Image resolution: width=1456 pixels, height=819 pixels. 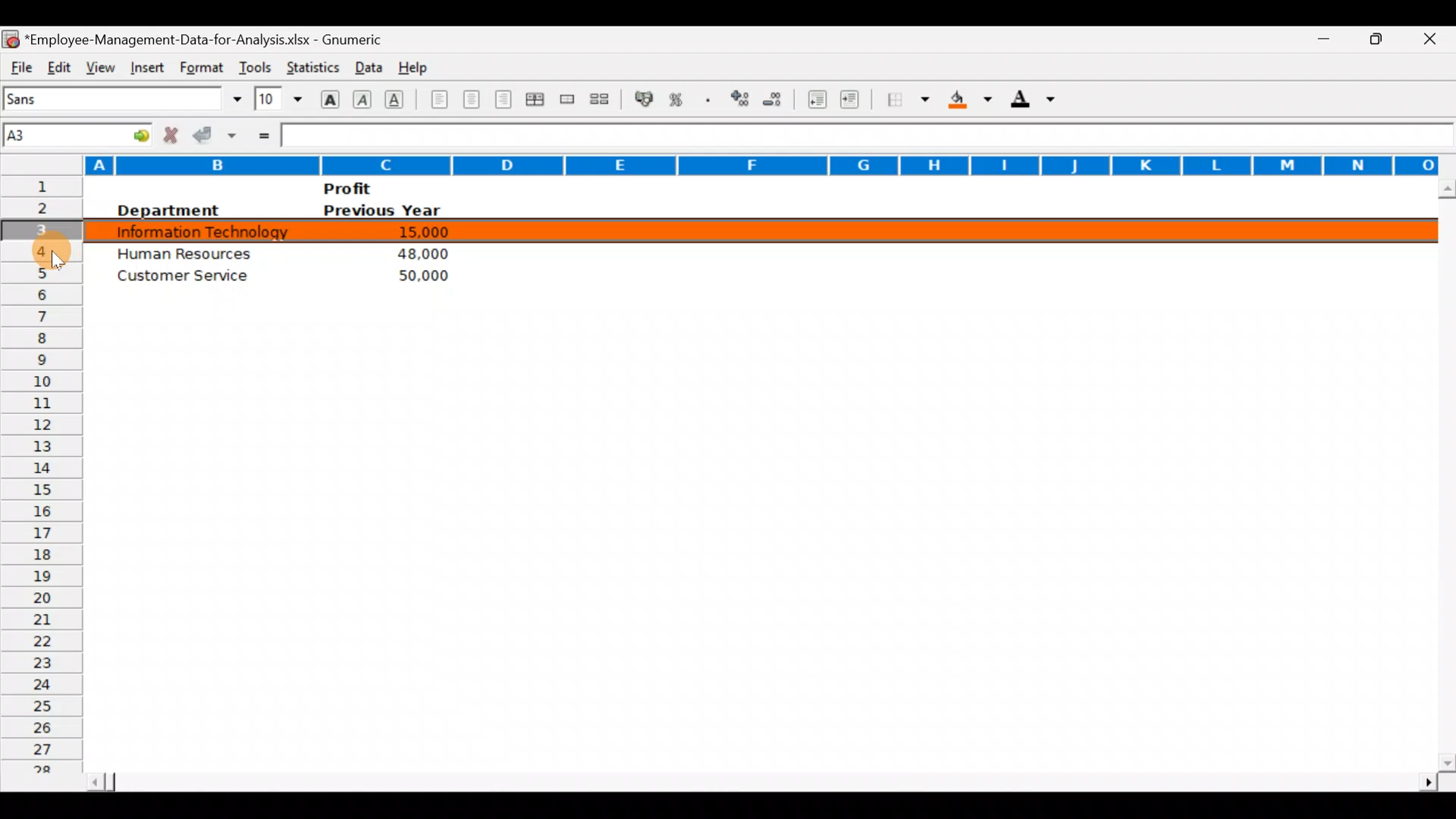 What do you see at coordinates (362, 101) in the screenshot?
I see `Italic` at bounding box center [362, 101].